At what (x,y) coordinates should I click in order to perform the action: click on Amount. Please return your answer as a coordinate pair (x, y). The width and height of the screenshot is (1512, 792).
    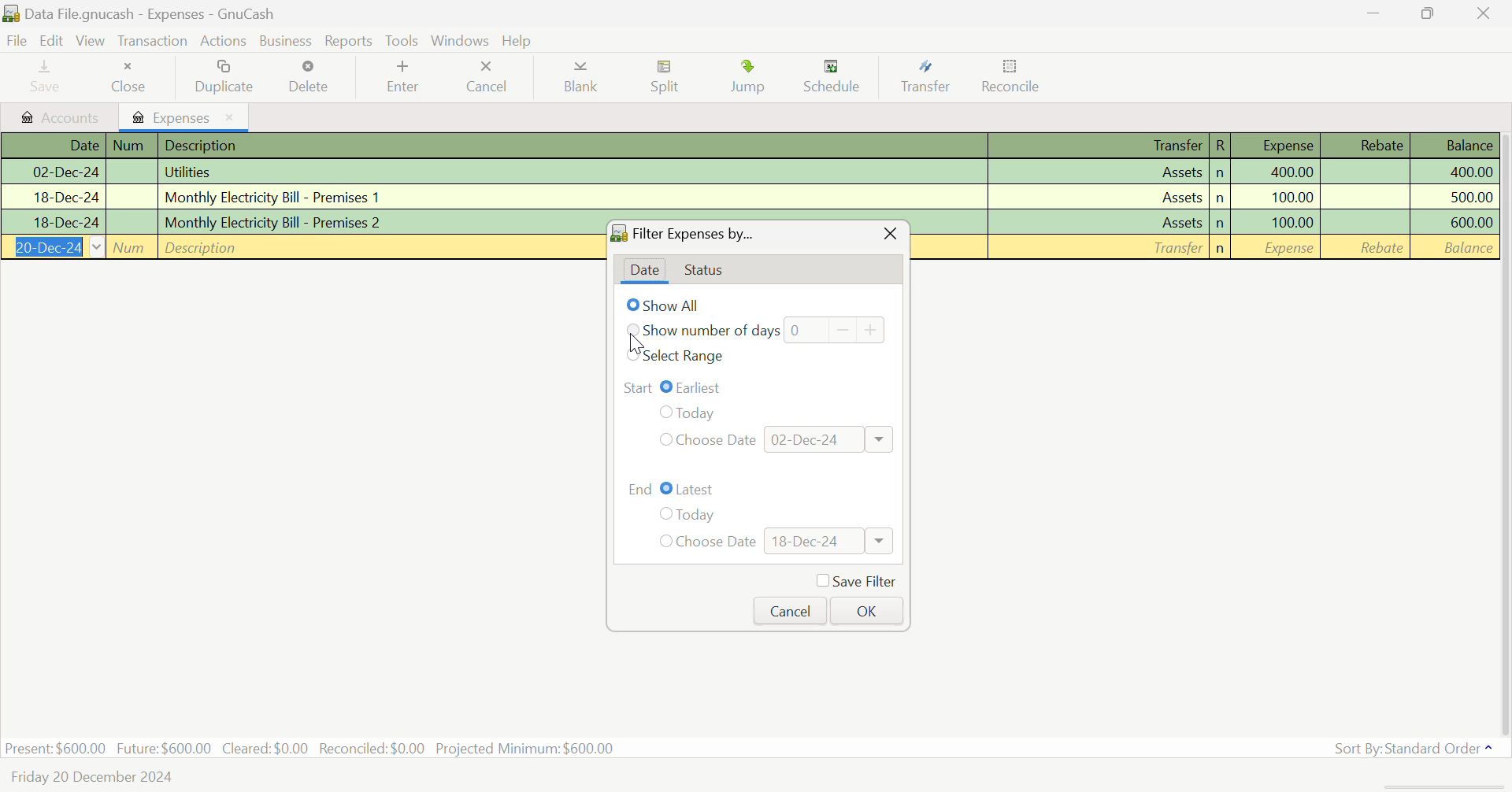
    Looking at the image, I should click on (1291, 171).